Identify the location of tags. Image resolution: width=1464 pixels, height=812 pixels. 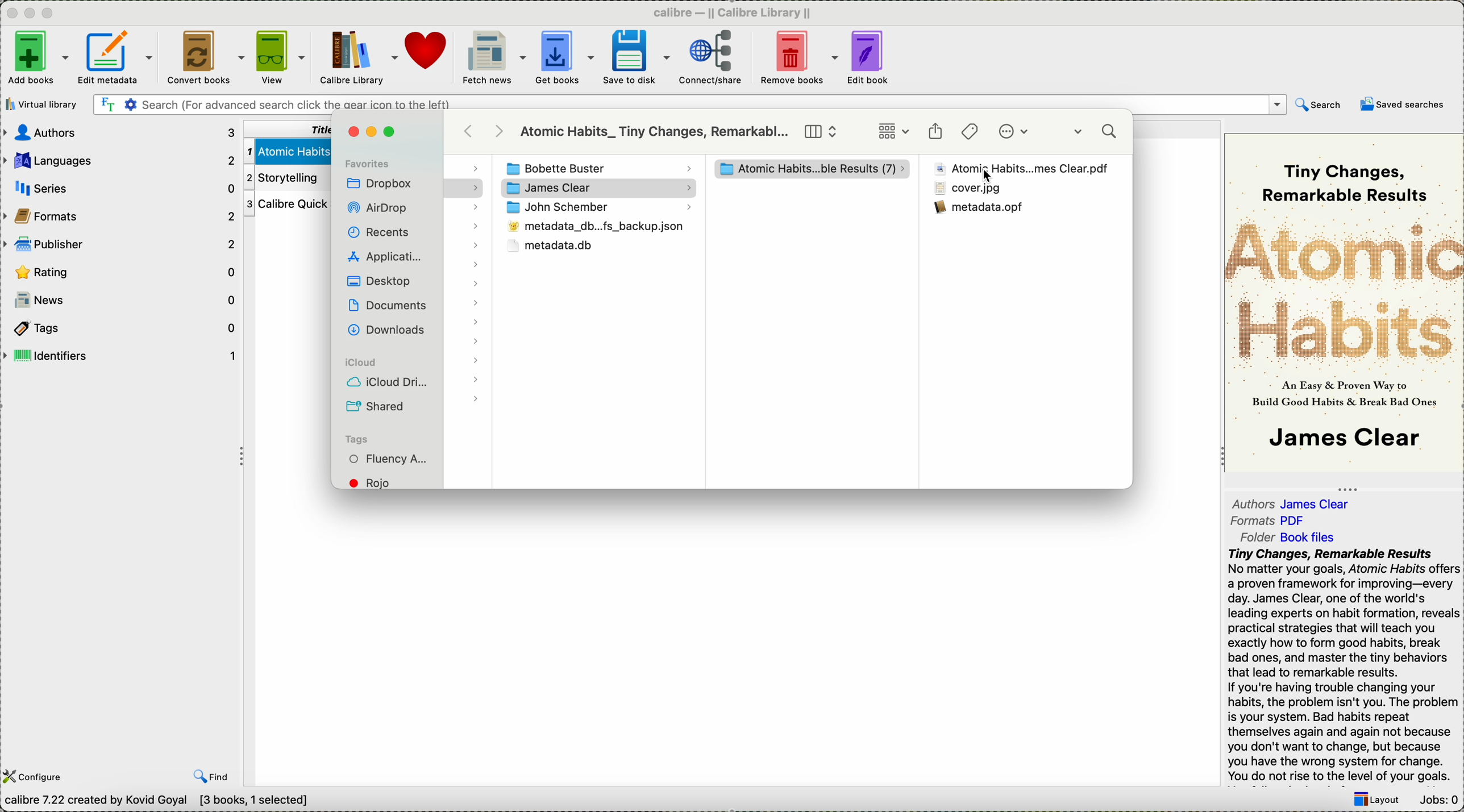
(356, 439).